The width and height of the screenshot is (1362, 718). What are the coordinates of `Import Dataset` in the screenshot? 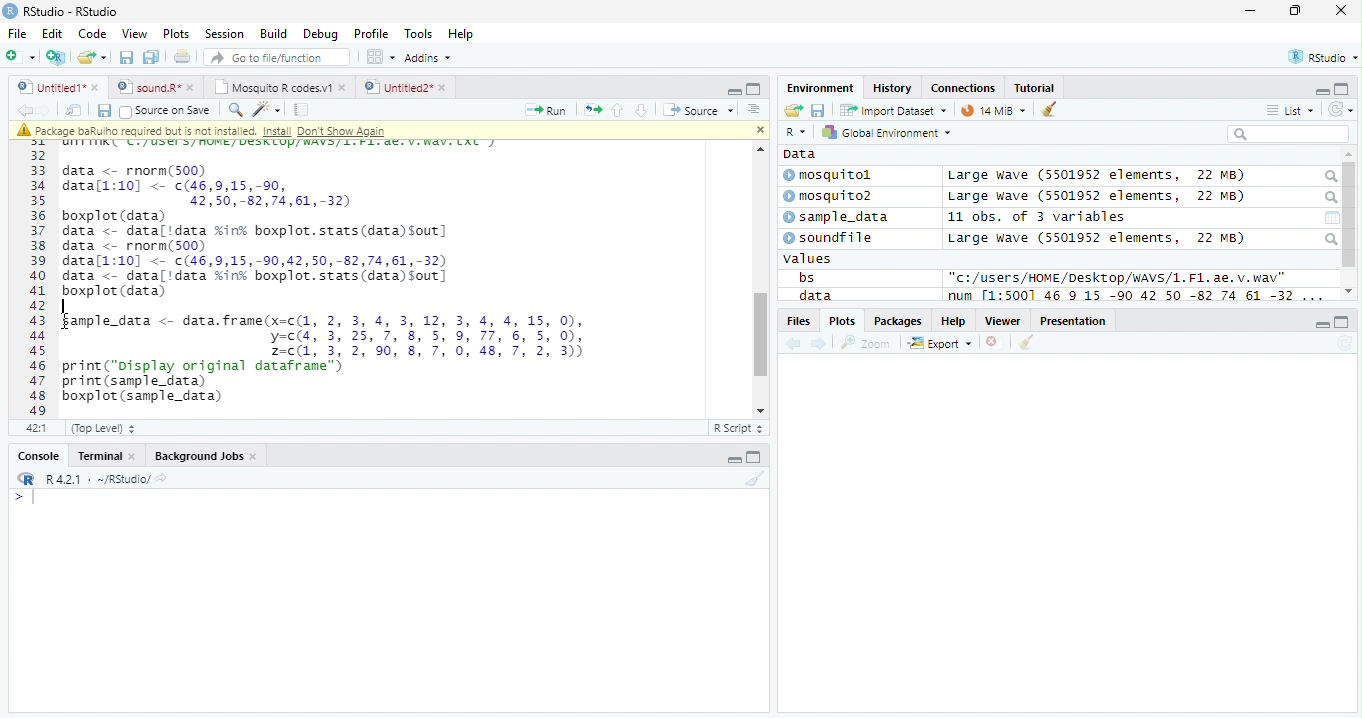 It's located at (893, 111).